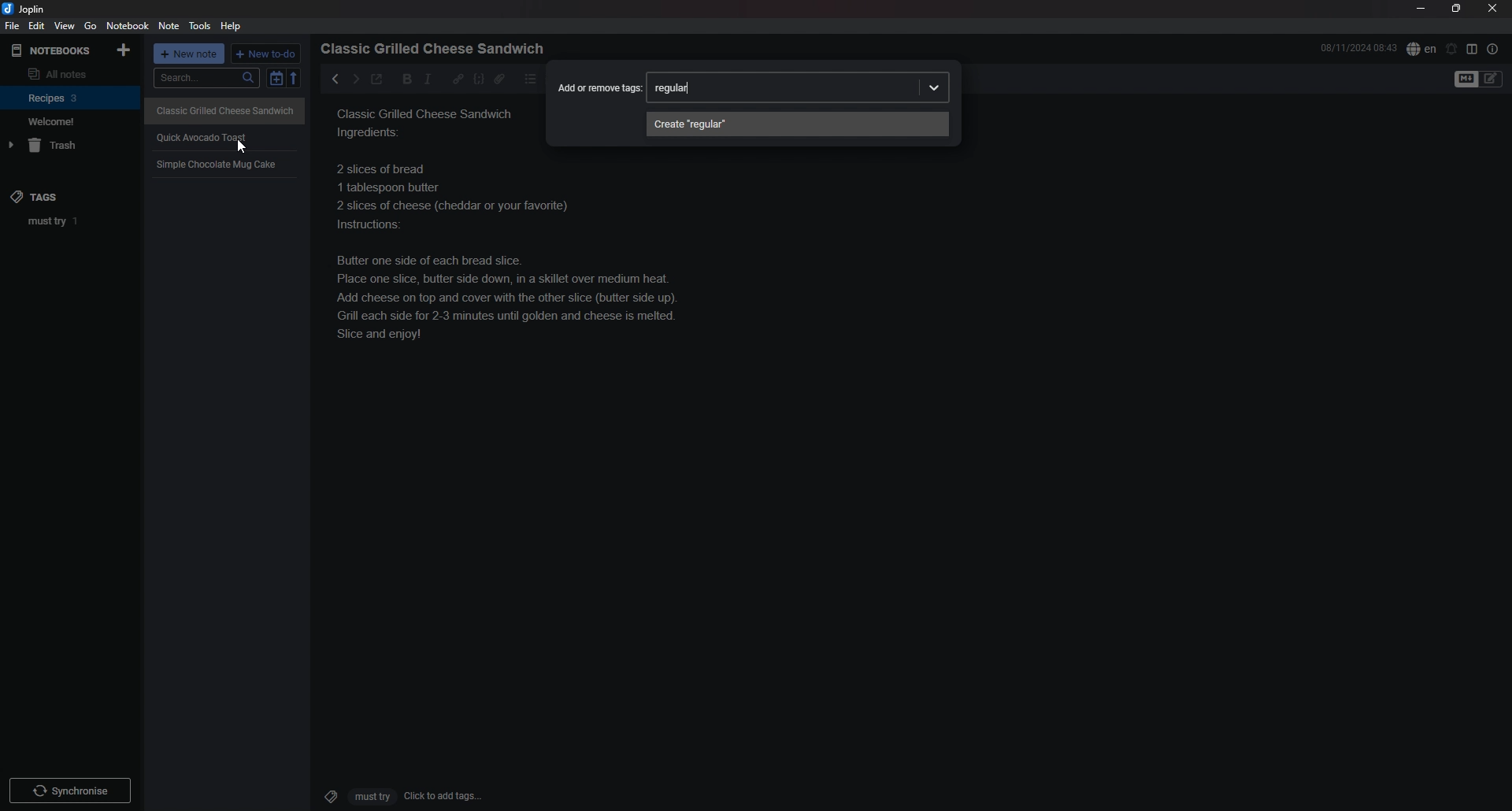 The image size is (1512, 811). I want to click on tag, so click(75, 220).